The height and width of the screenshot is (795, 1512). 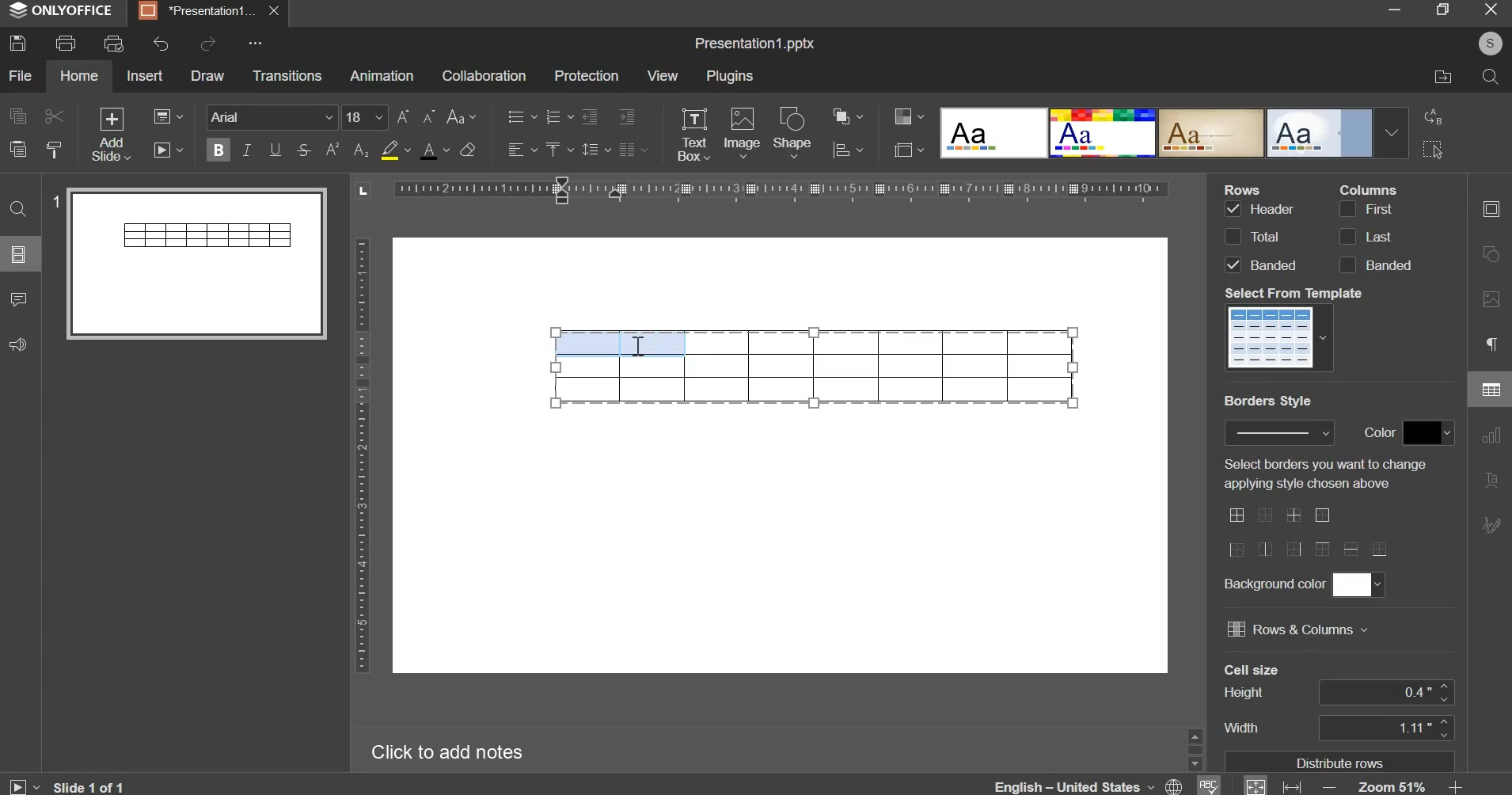 What do you see at coordinates (16, 345) in the screenshot?
I see `feedback` at bounding box center [16, 345].